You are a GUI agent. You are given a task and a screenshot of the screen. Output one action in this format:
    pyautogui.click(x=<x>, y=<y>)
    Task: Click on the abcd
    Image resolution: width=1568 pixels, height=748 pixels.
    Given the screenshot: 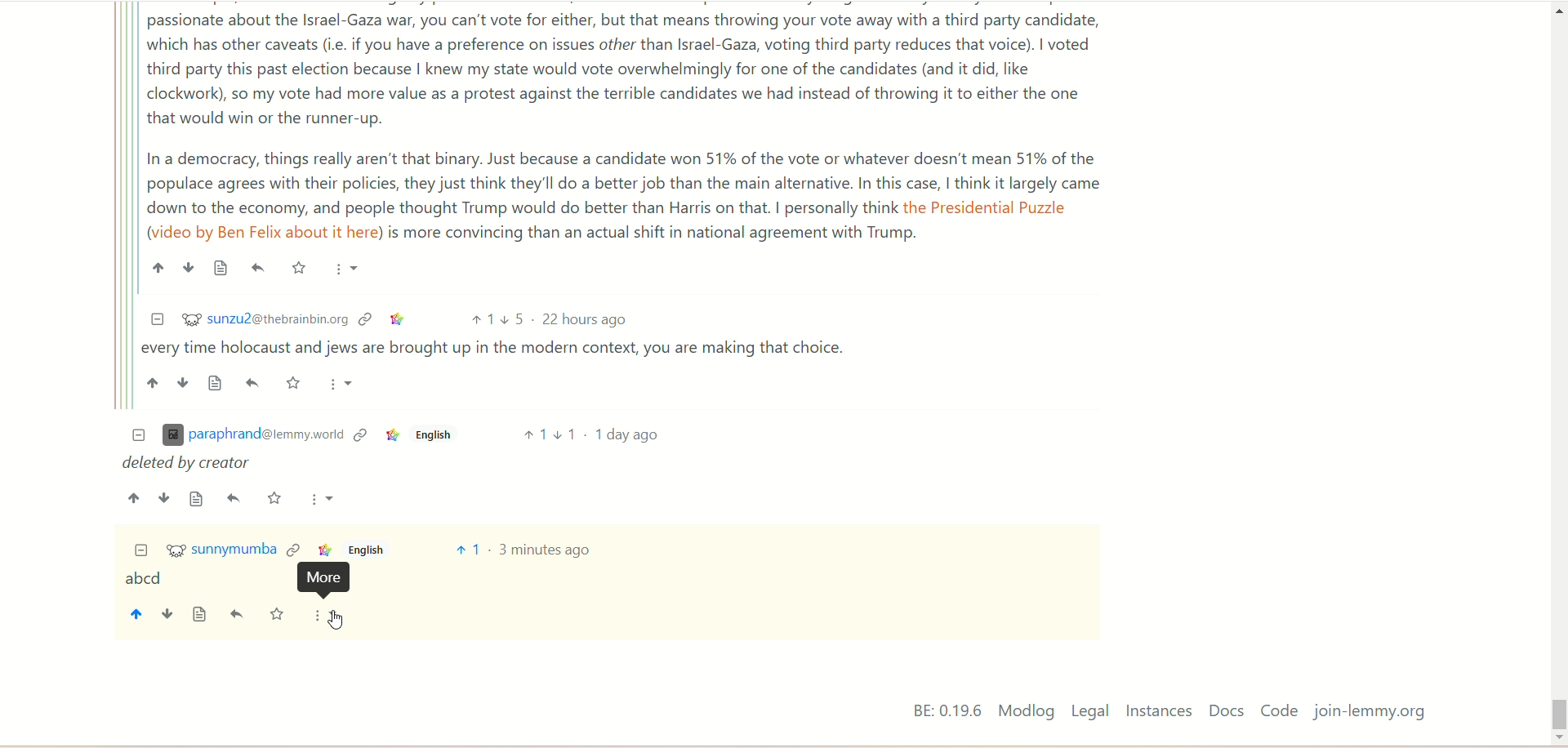 What is the action you would take?
    pyautogui.click(x=143, y=580)
    